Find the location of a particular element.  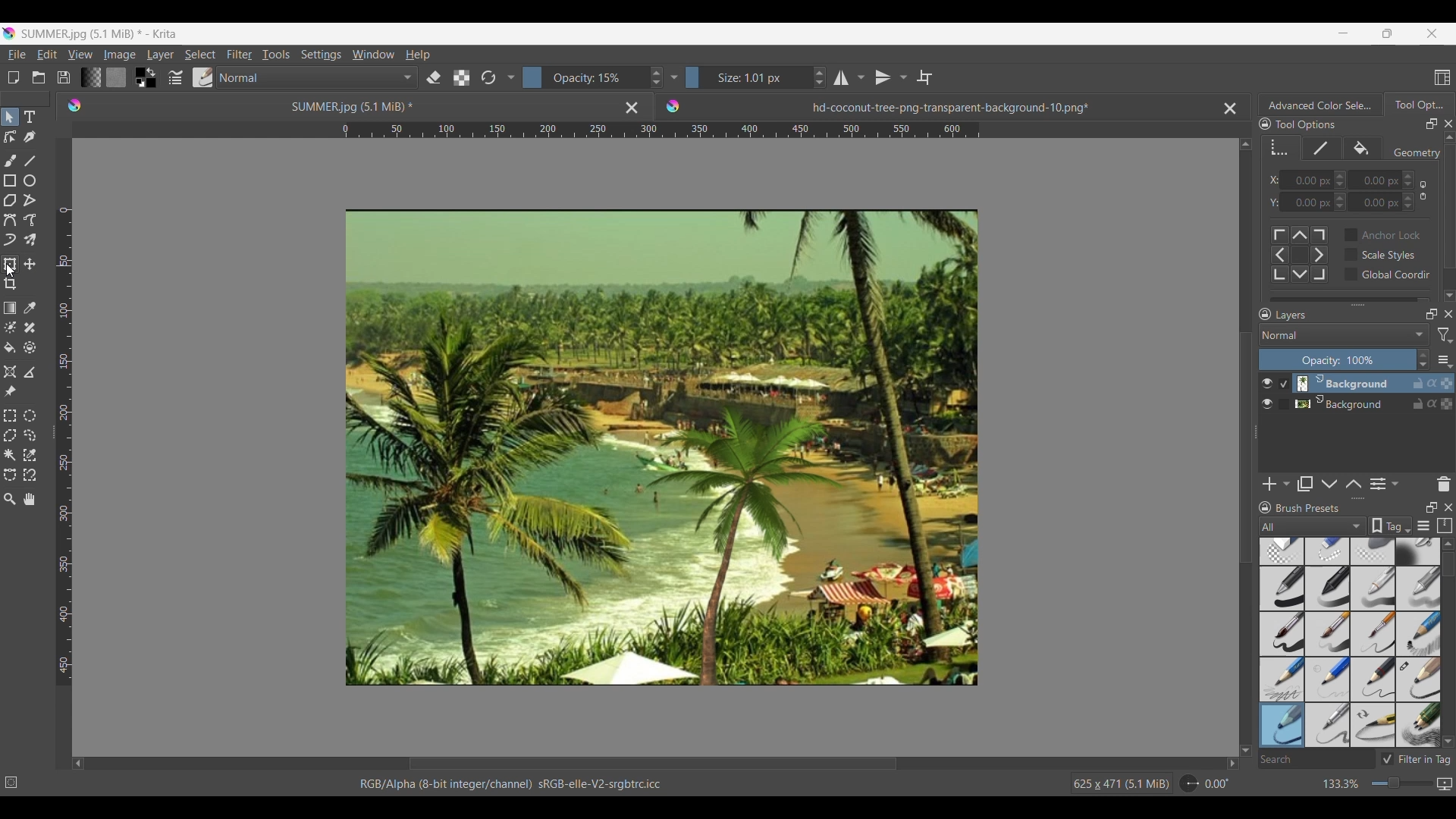

Select shapes is located at coordinates (10, 117).